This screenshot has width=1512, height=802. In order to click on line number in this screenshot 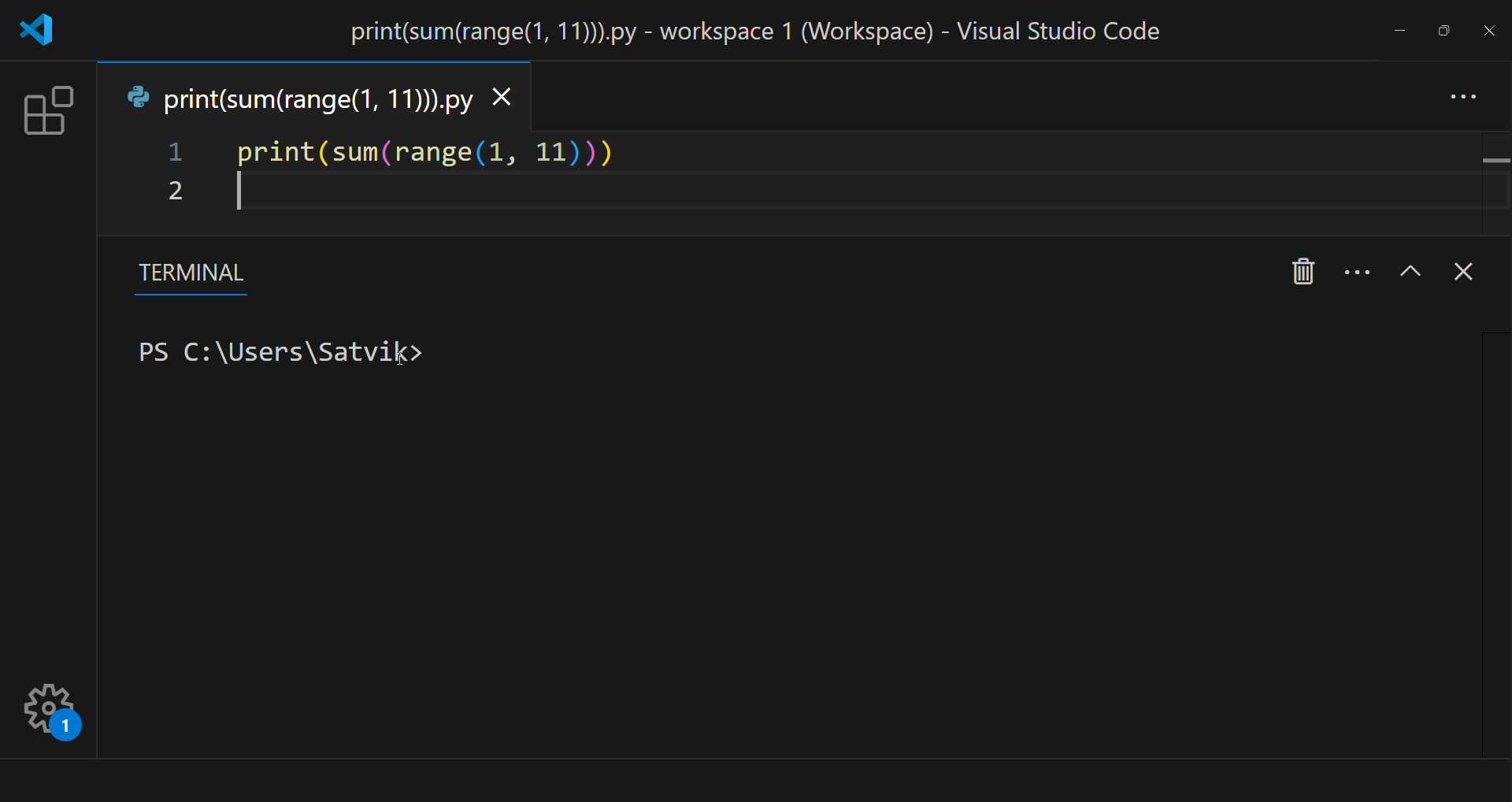, I will do `click(172, 179)`.